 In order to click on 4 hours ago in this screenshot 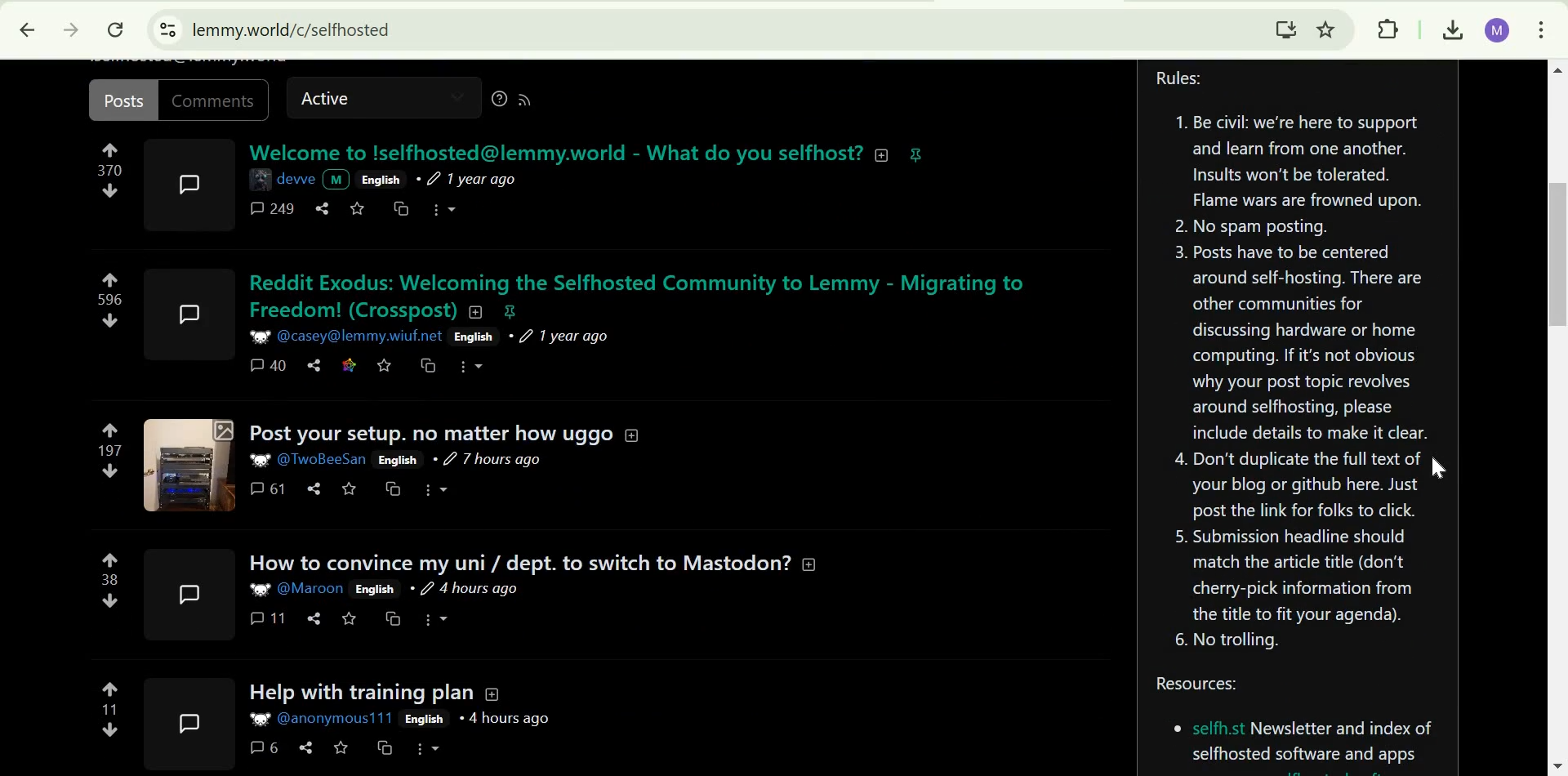, I will do `click(463, 588)`.